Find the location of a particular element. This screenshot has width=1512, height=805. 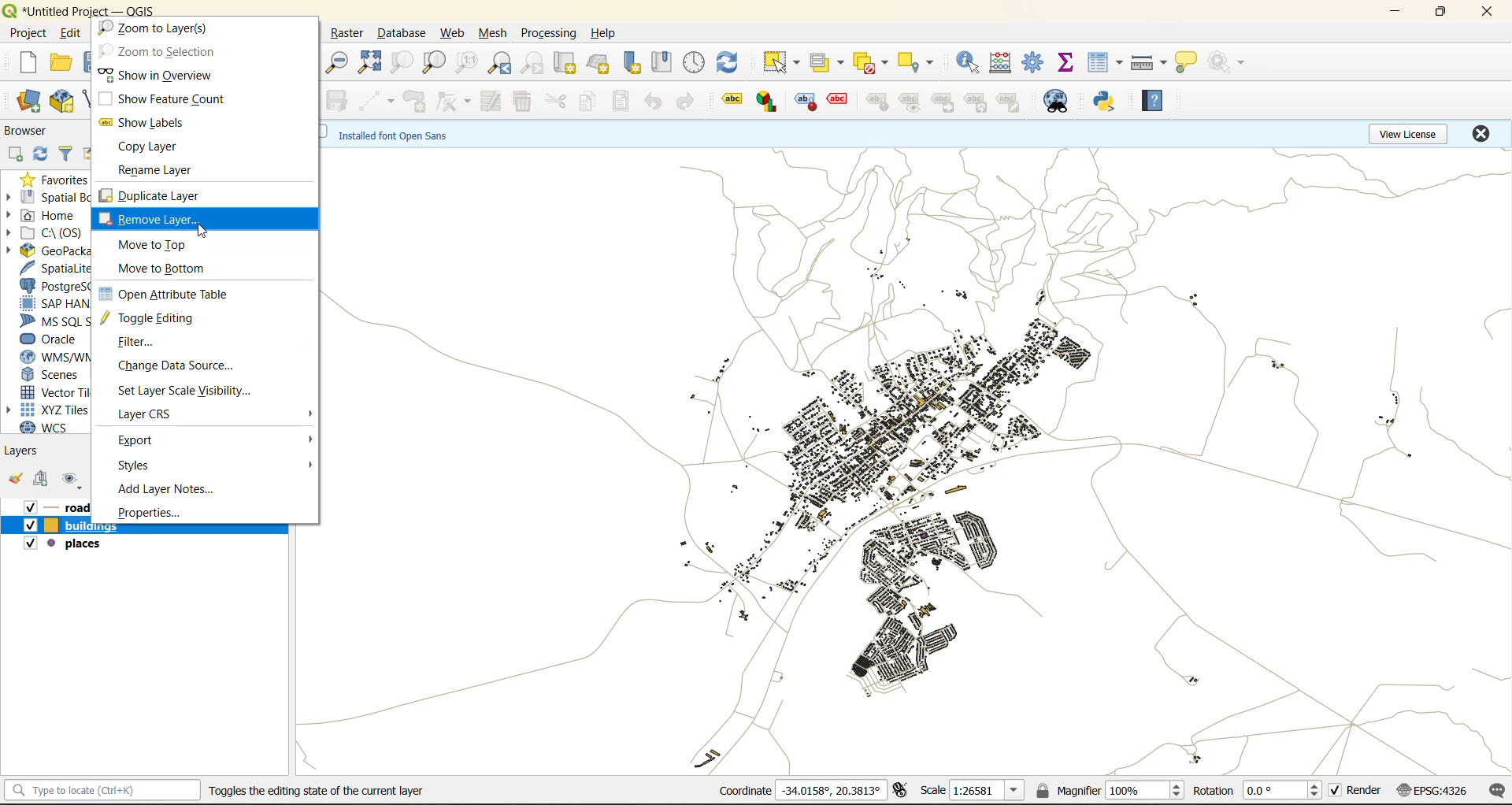

show tips is located at coordinates (1186, 64).